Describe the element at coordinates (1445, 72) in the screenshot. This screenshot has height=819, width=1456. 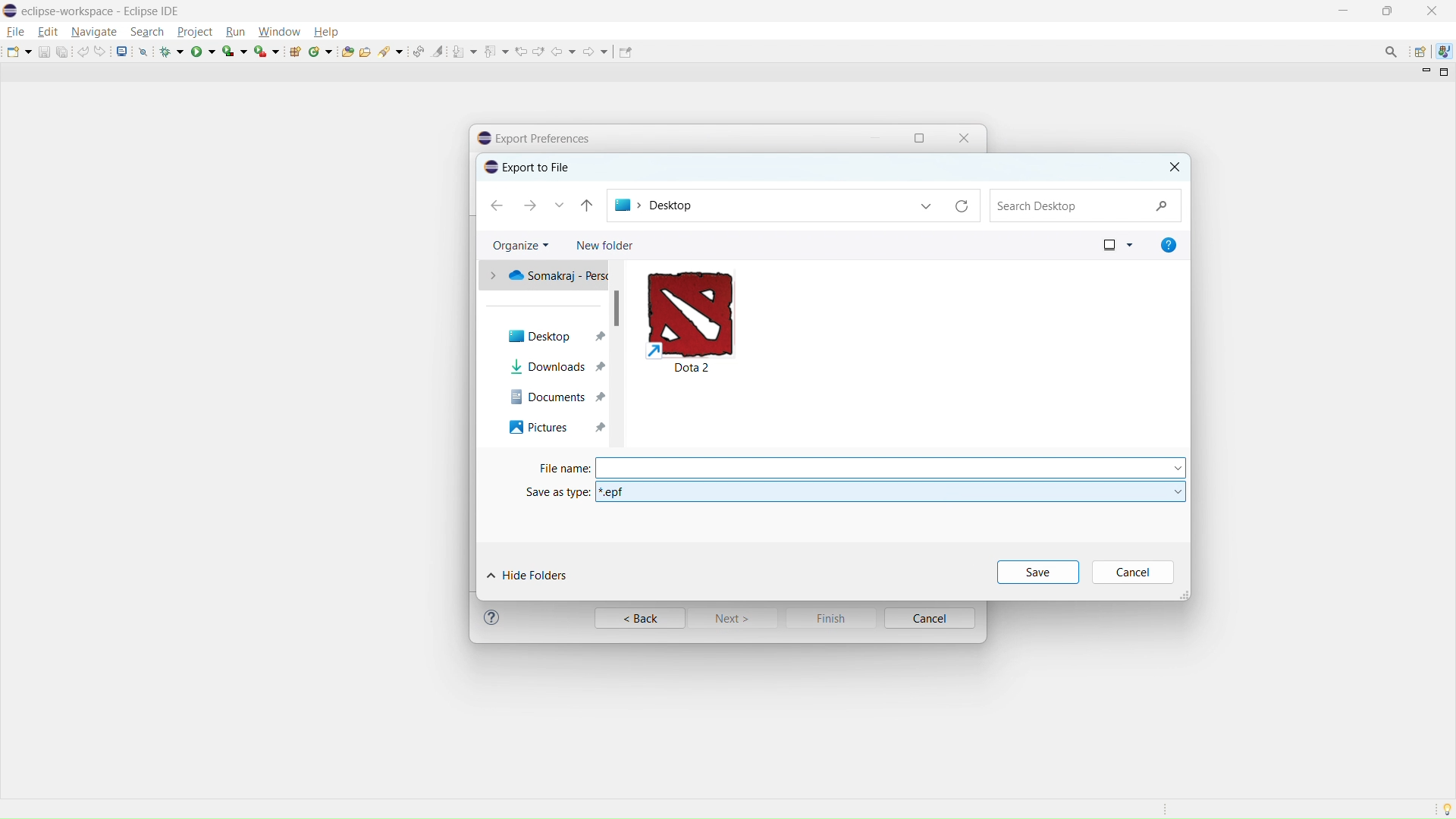
I see `maximize view` at that location.